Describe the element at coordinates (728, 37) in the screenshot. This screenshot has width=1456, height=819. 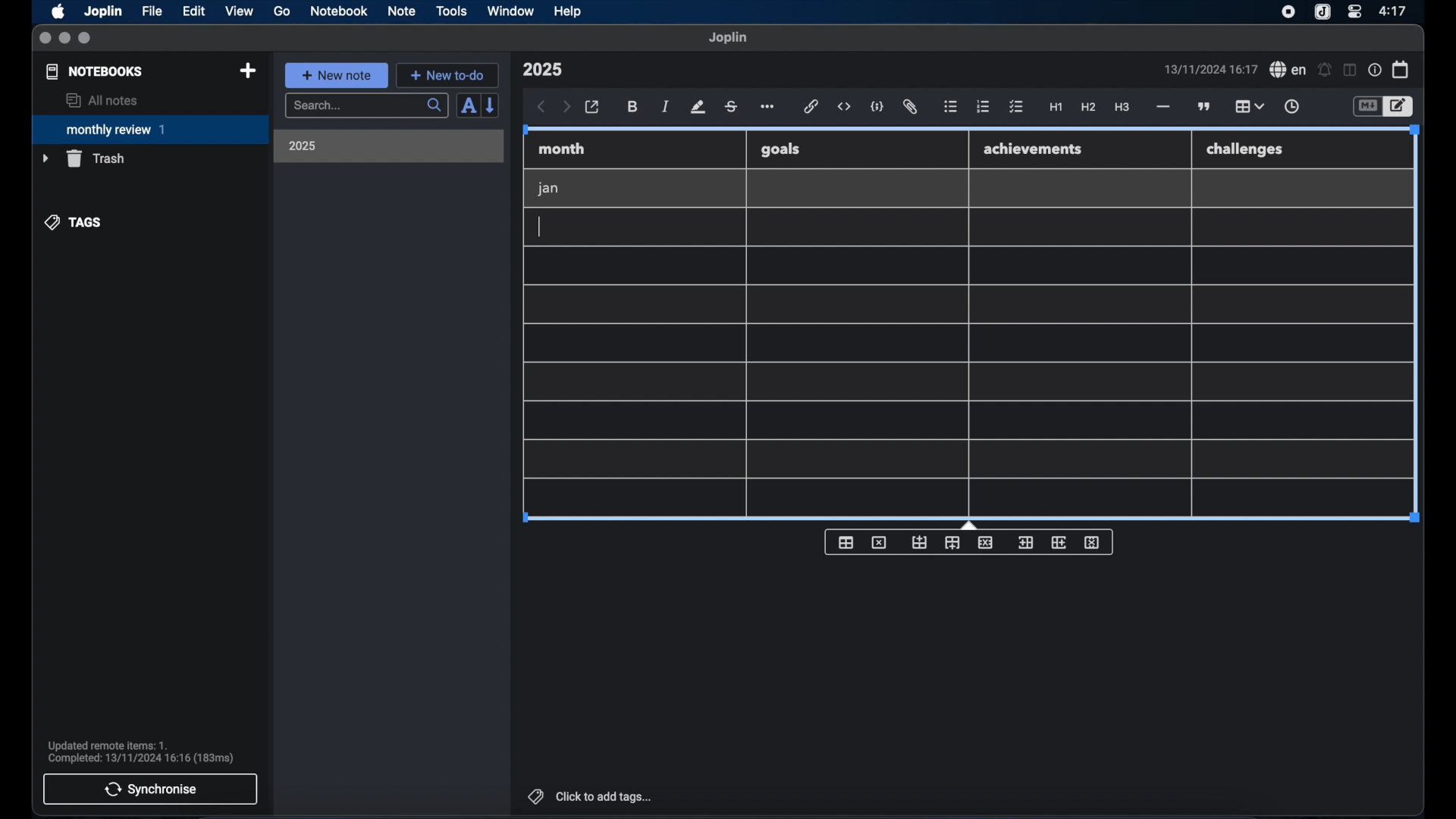
I see `joplin` at that location.